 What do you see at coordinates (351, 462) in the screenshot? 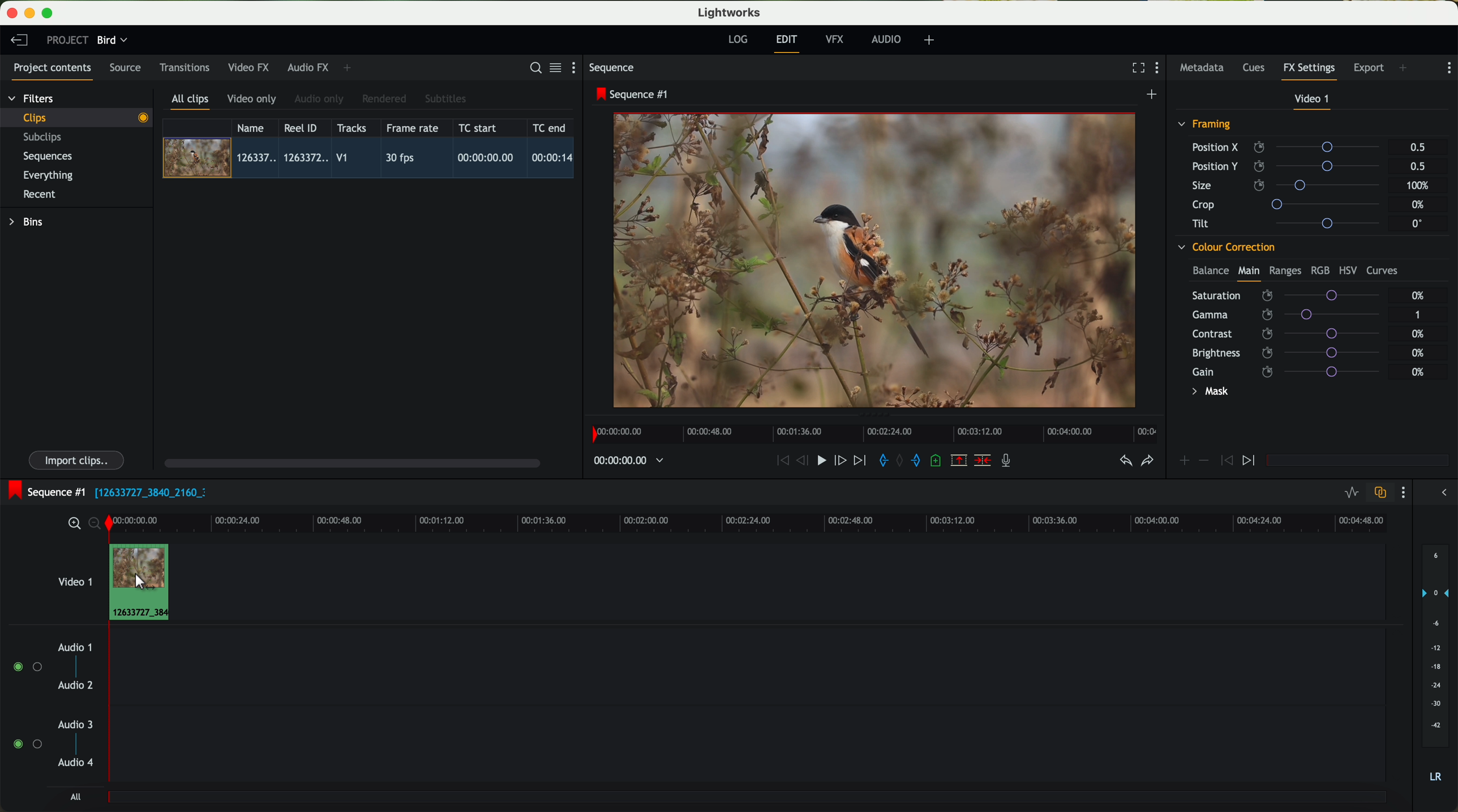
I see `scroll bar` at bounding box center [351, 462].